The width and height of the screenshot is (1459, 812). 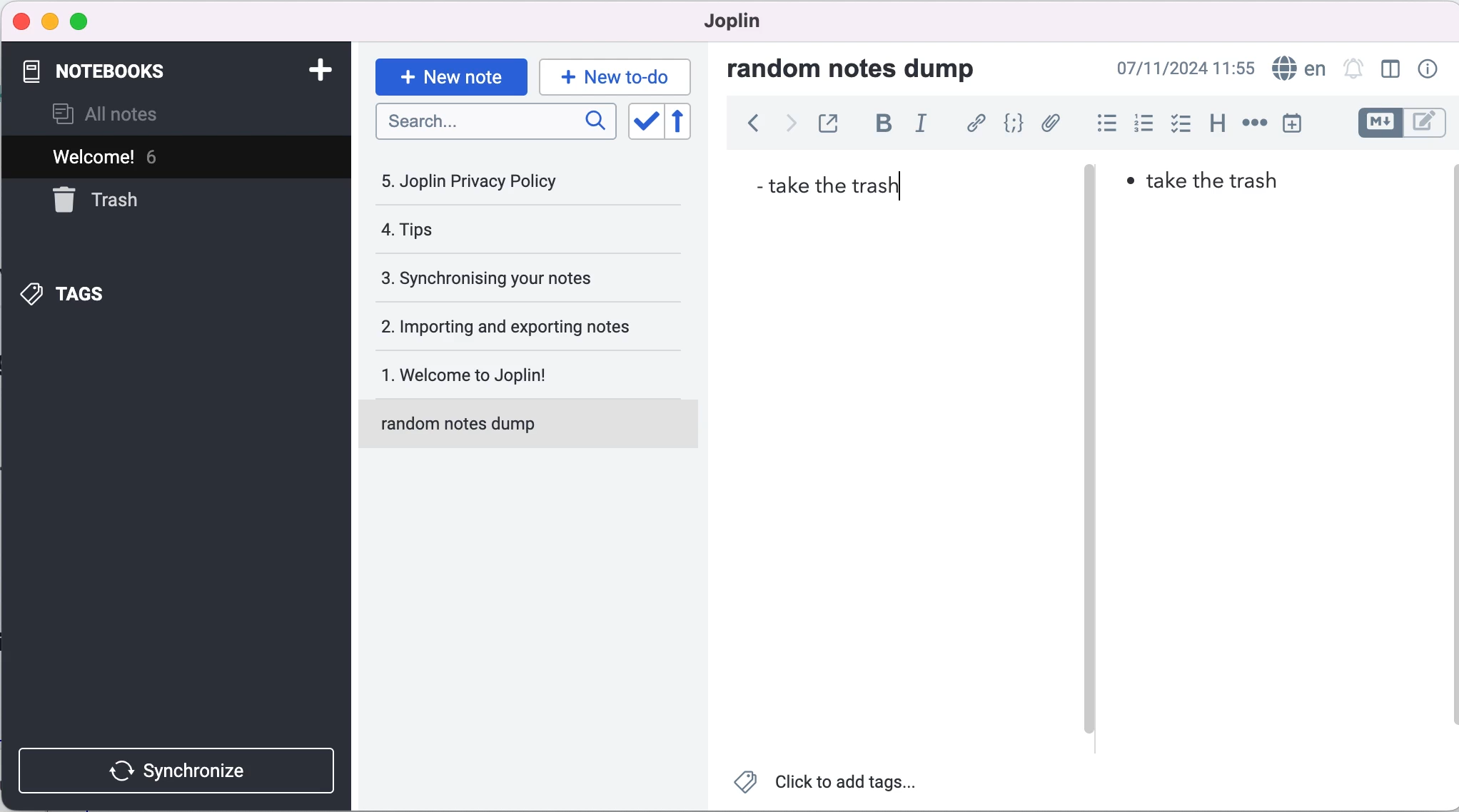 I want to click on take the trash, so click(x=832, y=184).